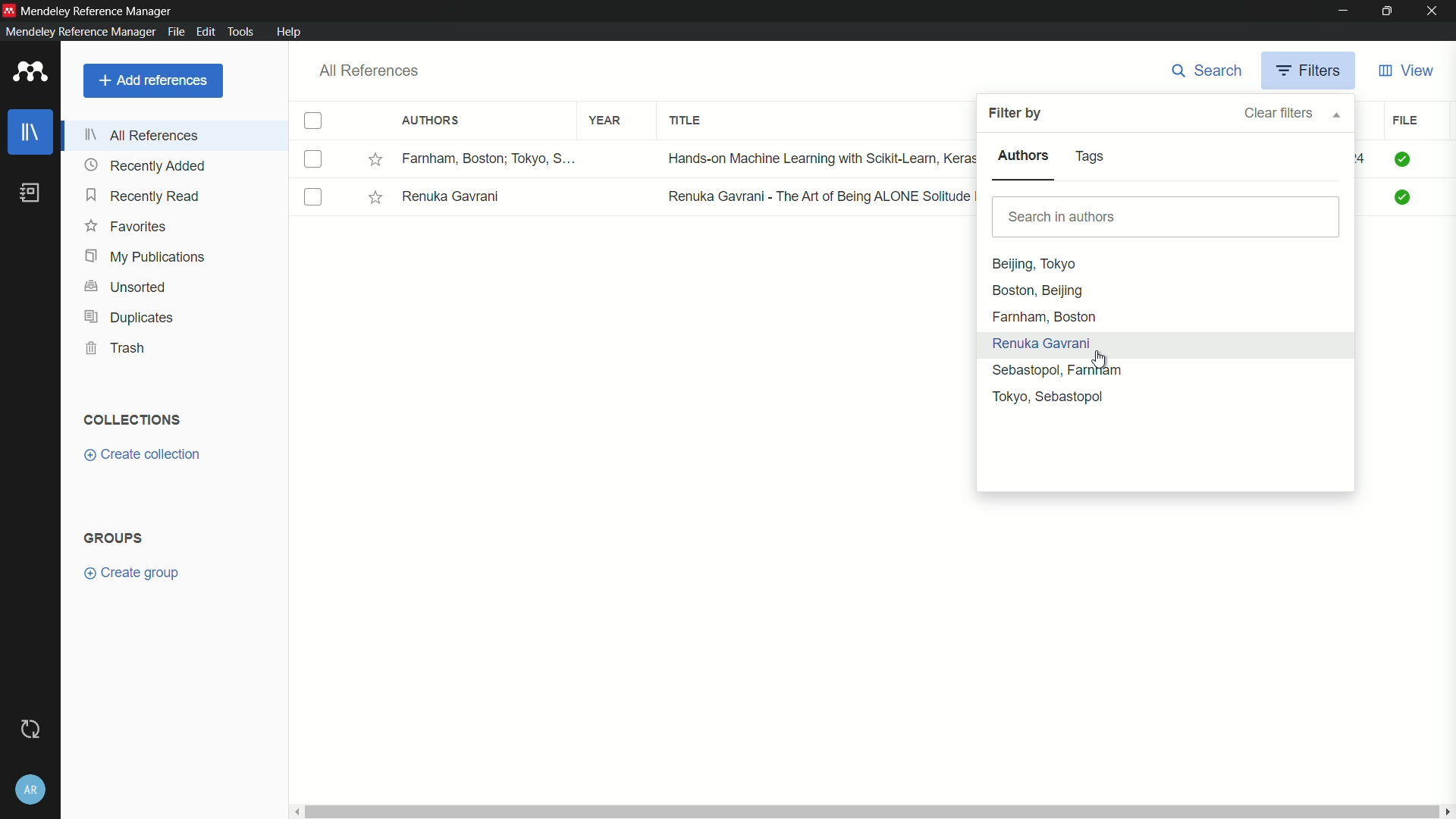  I want to click on clear filters, so click(1291, 114).